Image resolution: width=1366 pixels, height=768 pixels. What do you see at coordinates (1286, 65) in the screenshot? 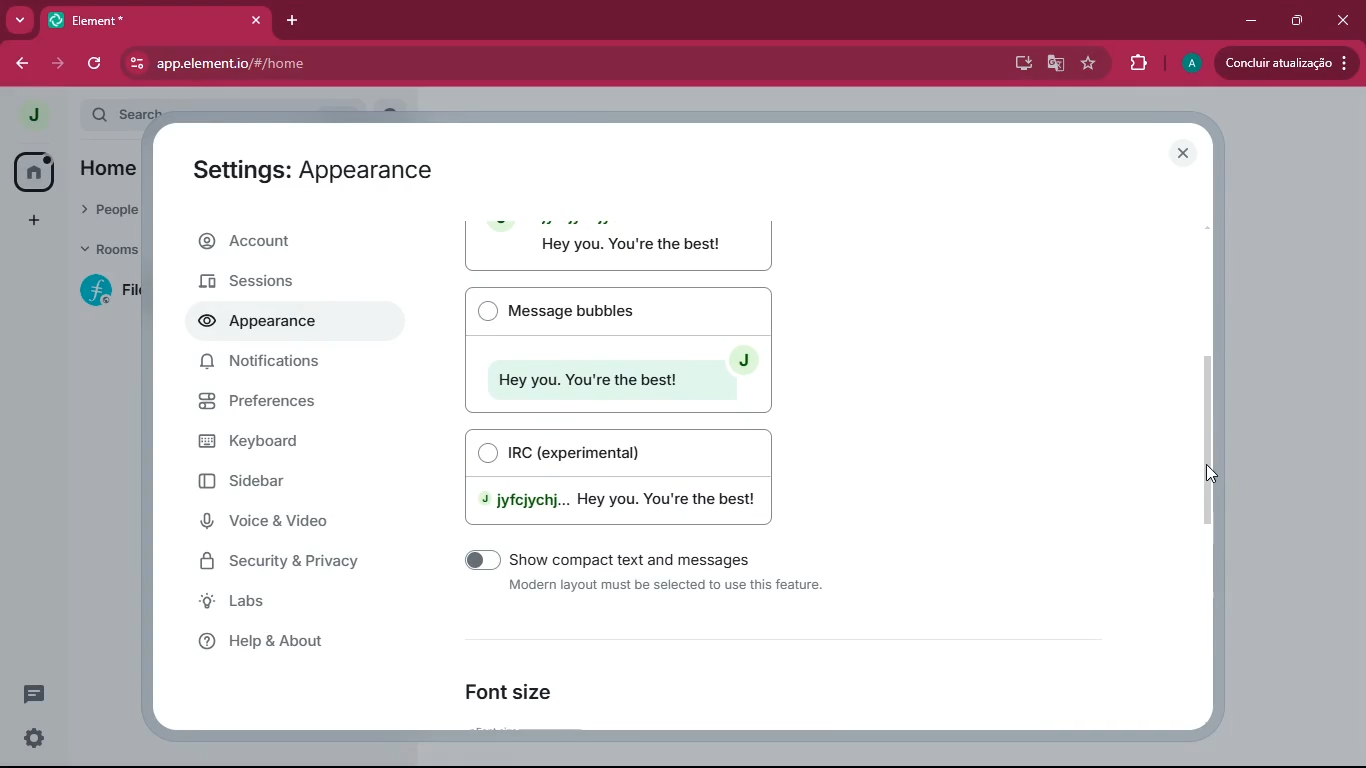
I see `update` at bounding box center [1286, 65].